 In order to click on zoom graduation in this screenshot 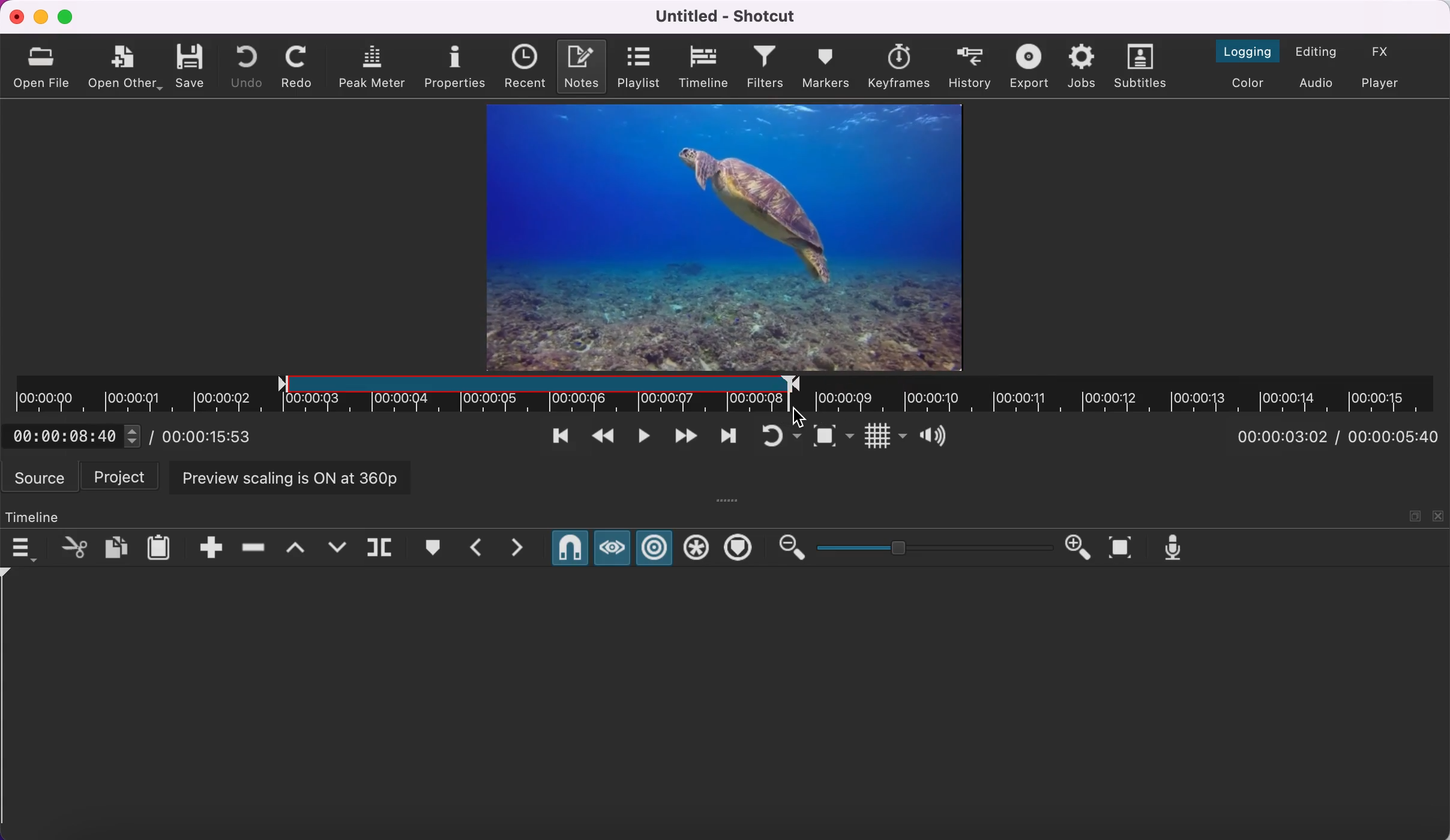, I will do `click(933, 547)`.